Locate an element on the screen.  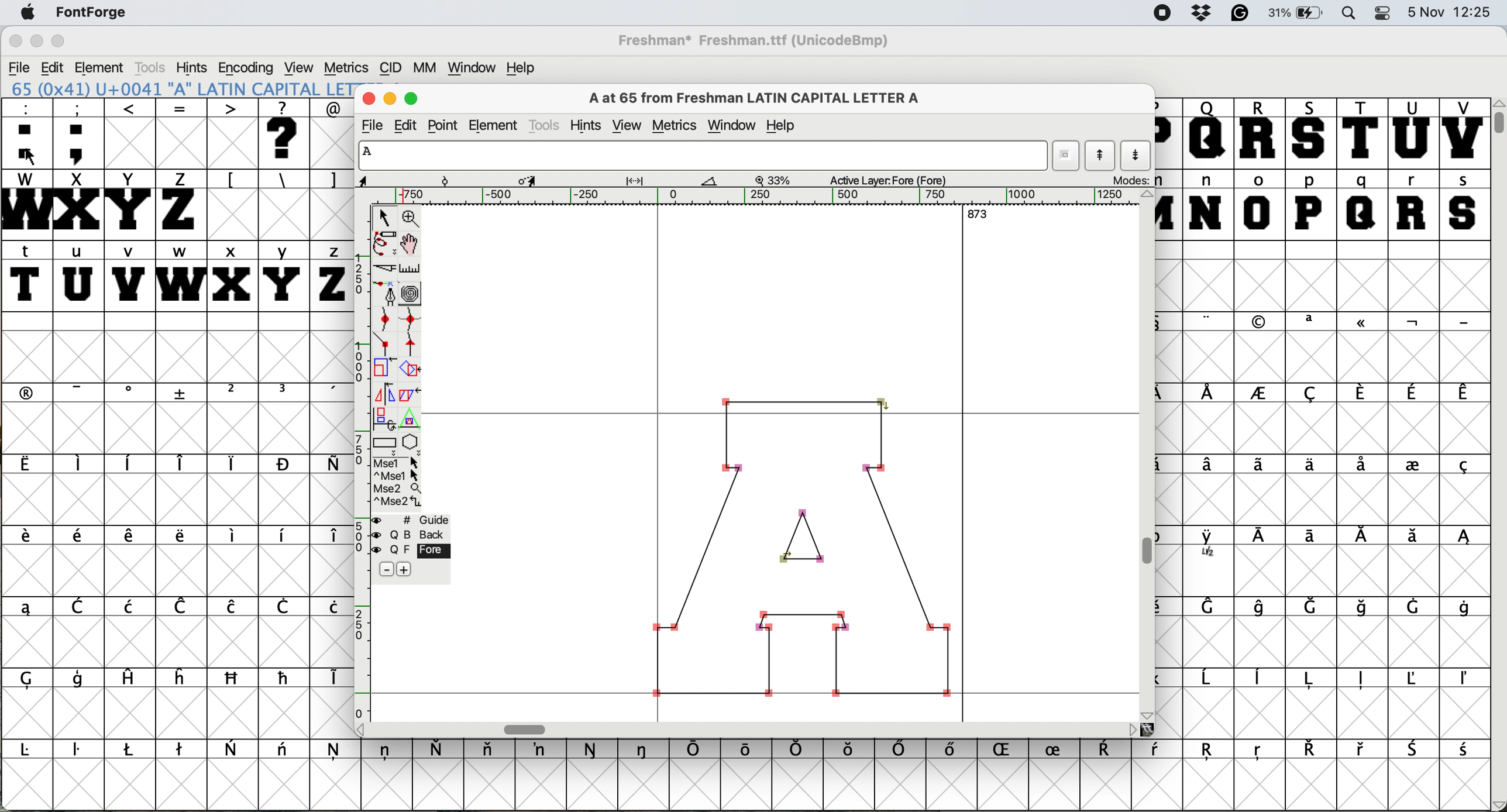
symbol is located at coordinates (330, 465).